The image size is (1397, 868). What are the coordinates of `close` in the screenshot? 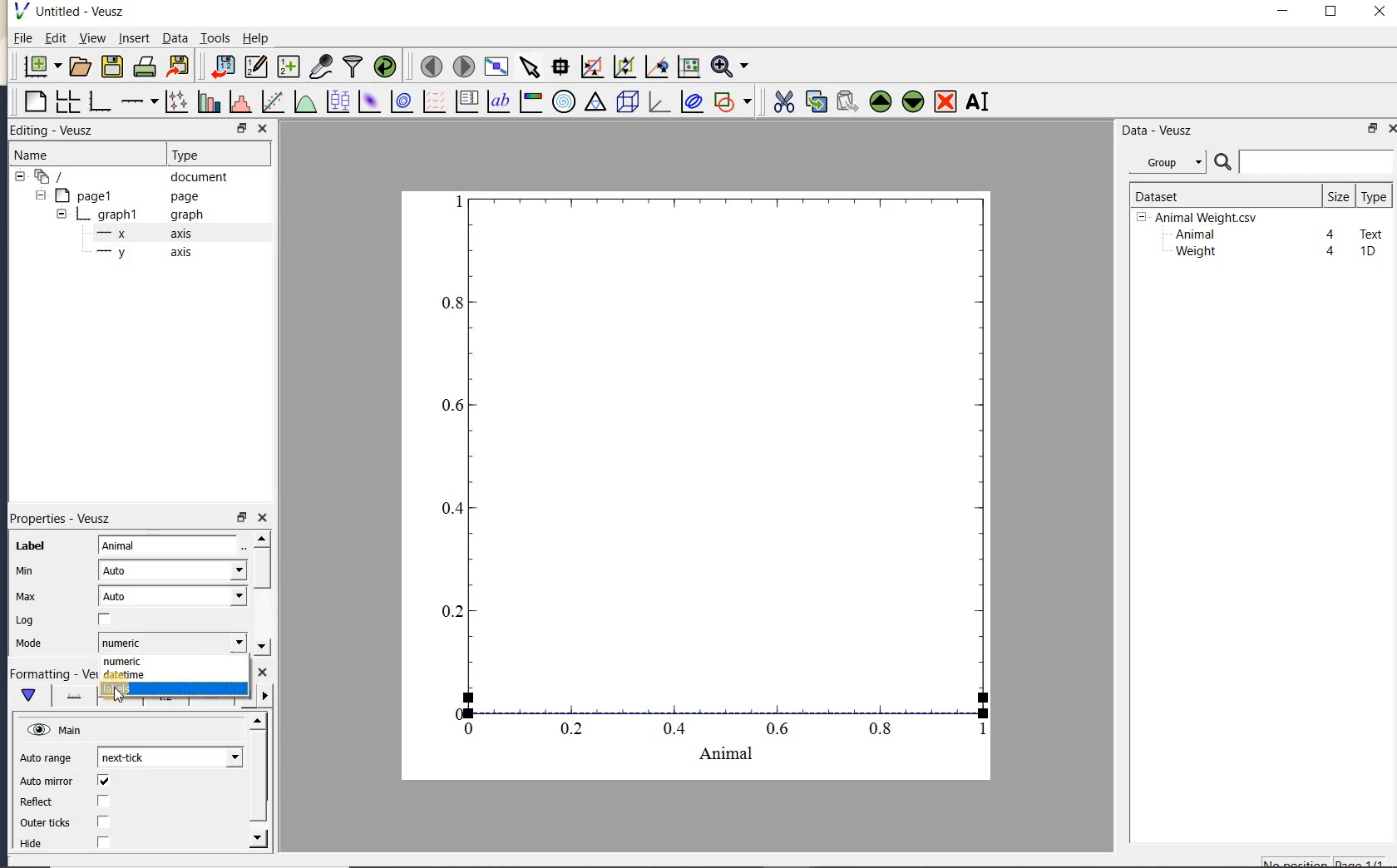 It's located at (262, 518).